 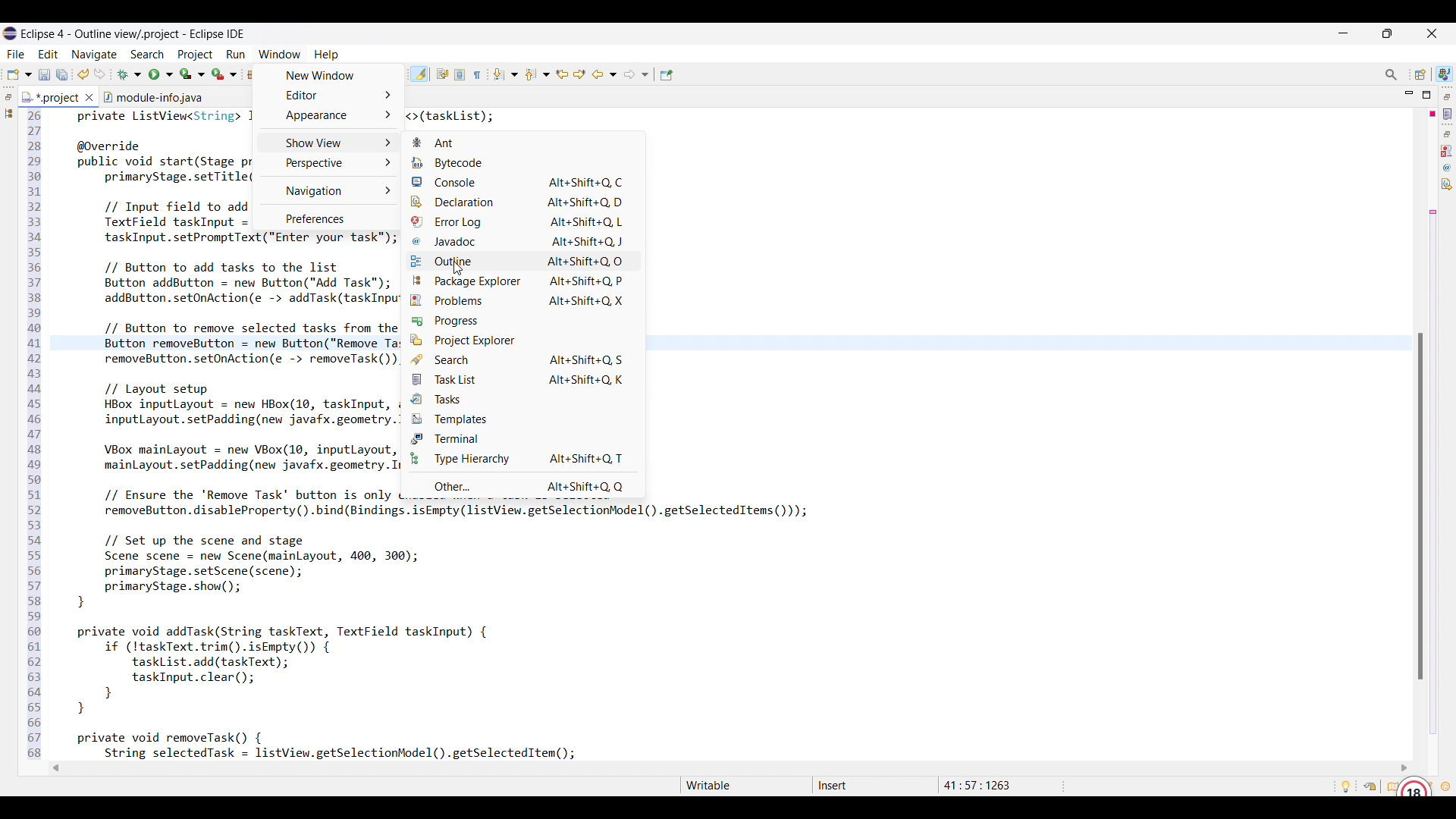 What do you see at coordinates (522, 242) in the screenshot?
I see `Javadoc` at bounding box center [522, 242].